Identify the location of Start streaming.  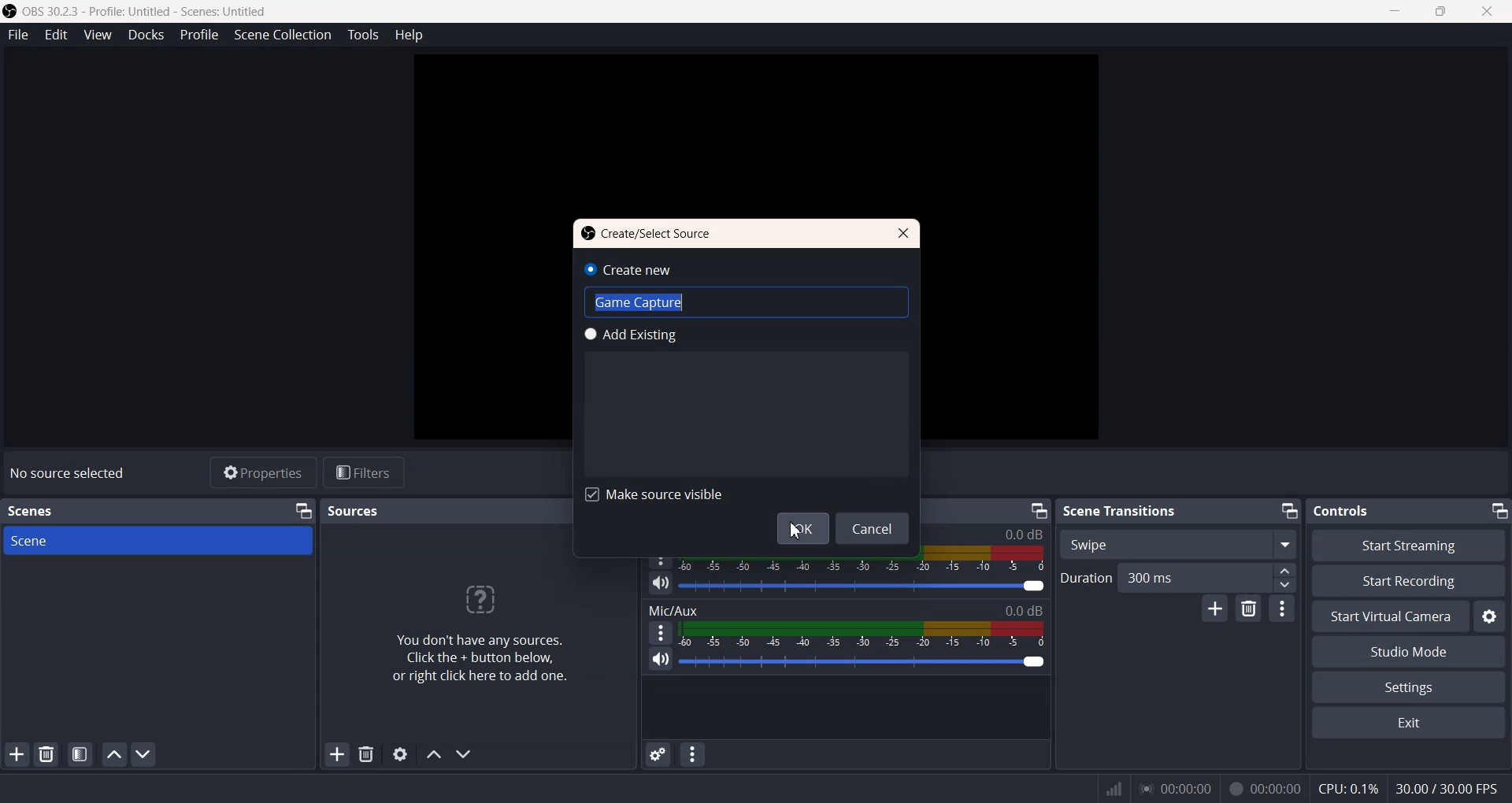
(1410, 545).